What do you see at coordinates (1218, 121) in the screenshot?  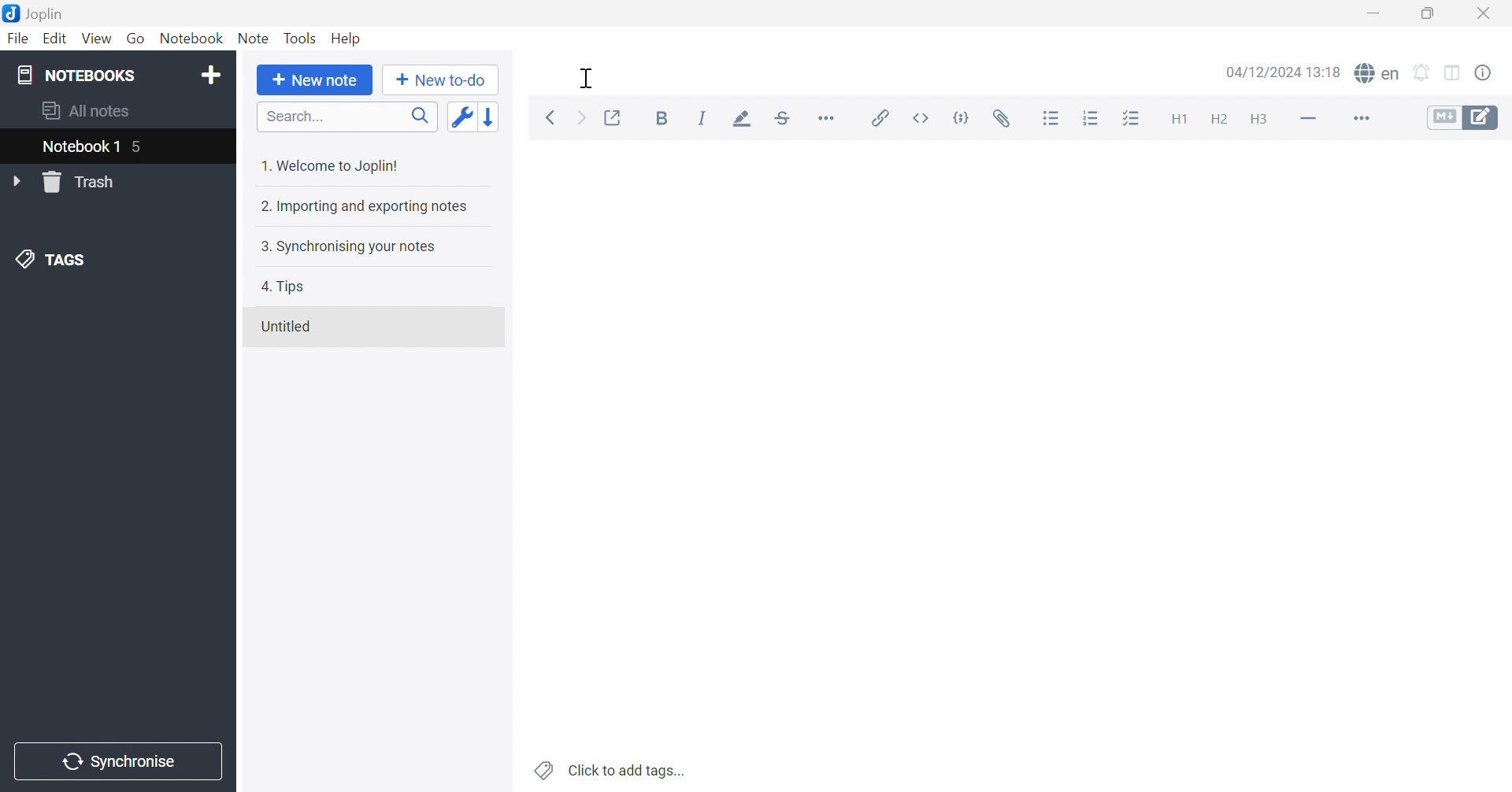 I see `Heading 2` at bounding box center [1218, 121].